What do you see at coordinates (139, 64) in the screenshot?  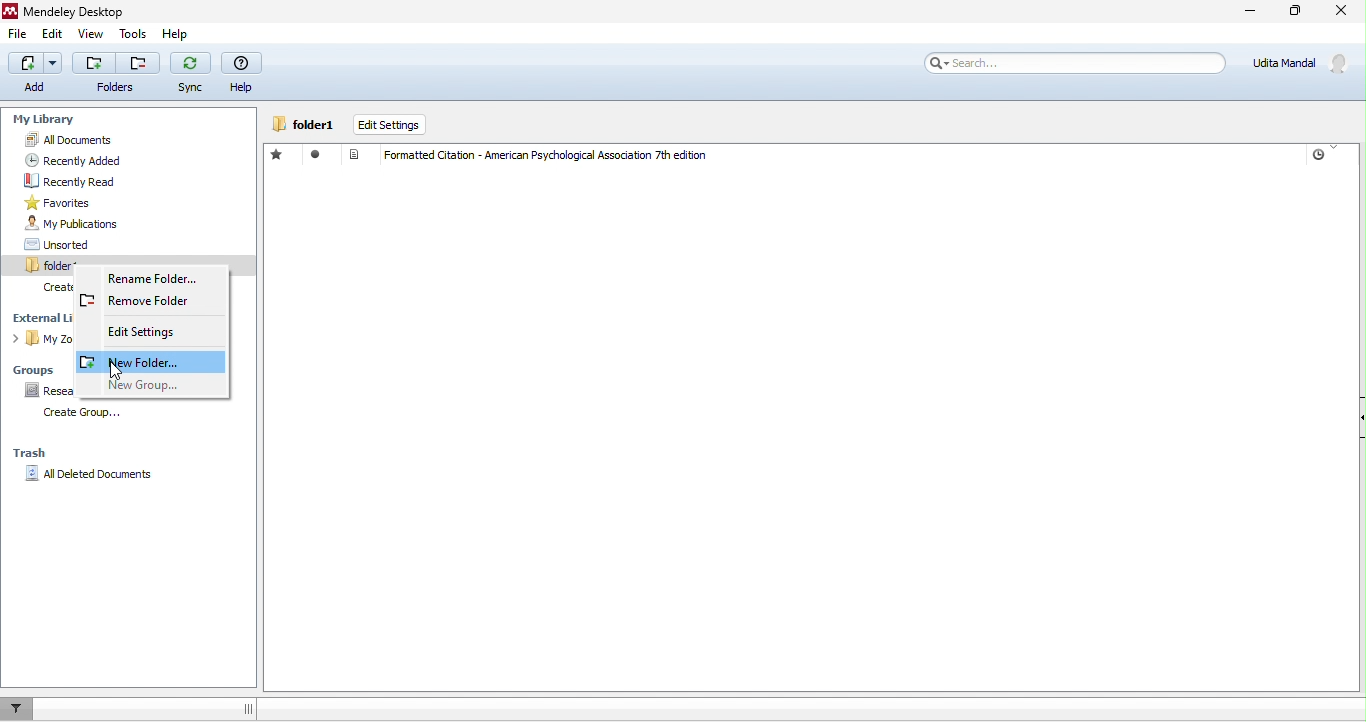 I see `Remove folder` at bounding box center [139, 64].